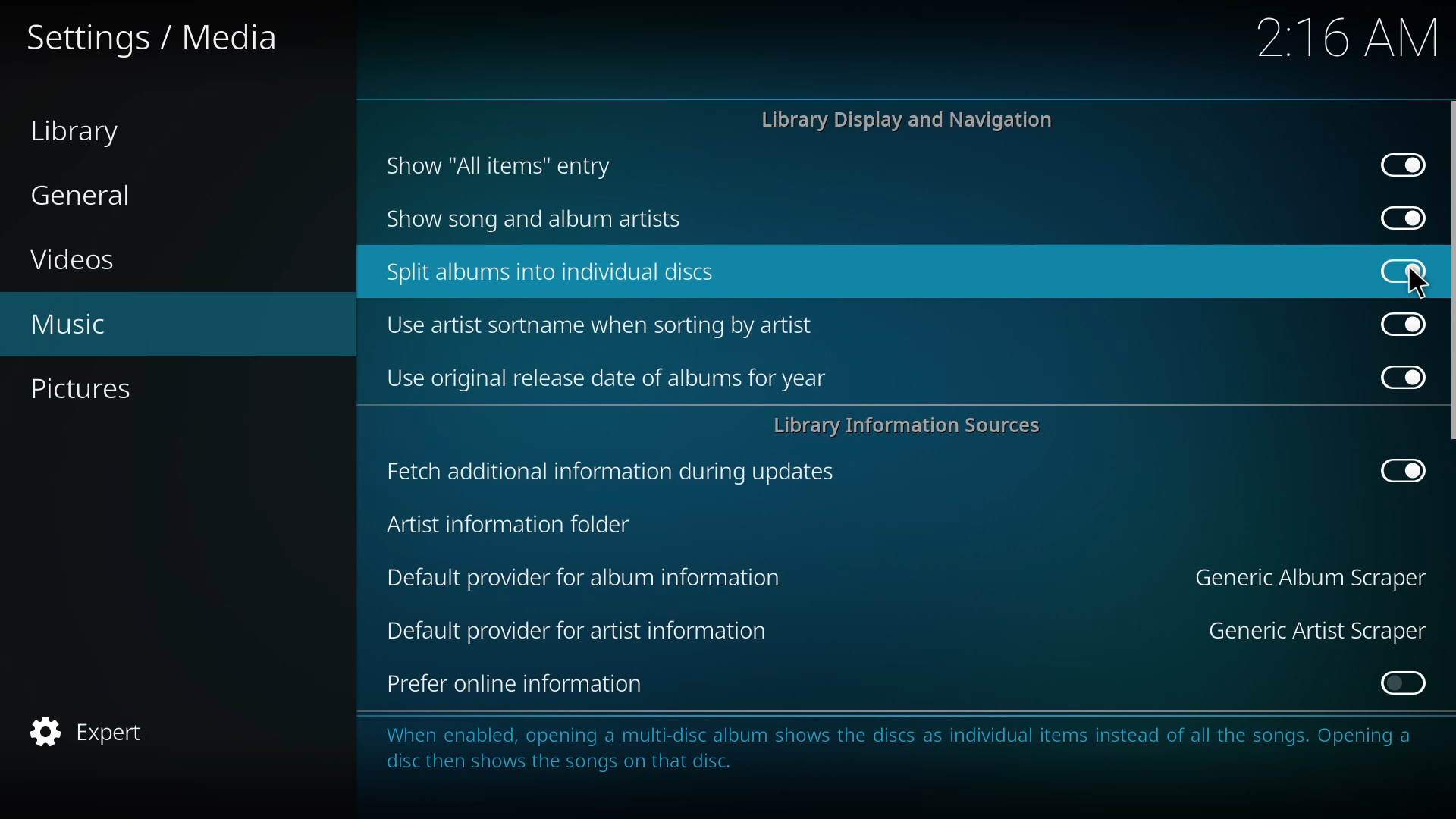 The image size is (1456, 819). I want to click on videos, so click(77, 260).